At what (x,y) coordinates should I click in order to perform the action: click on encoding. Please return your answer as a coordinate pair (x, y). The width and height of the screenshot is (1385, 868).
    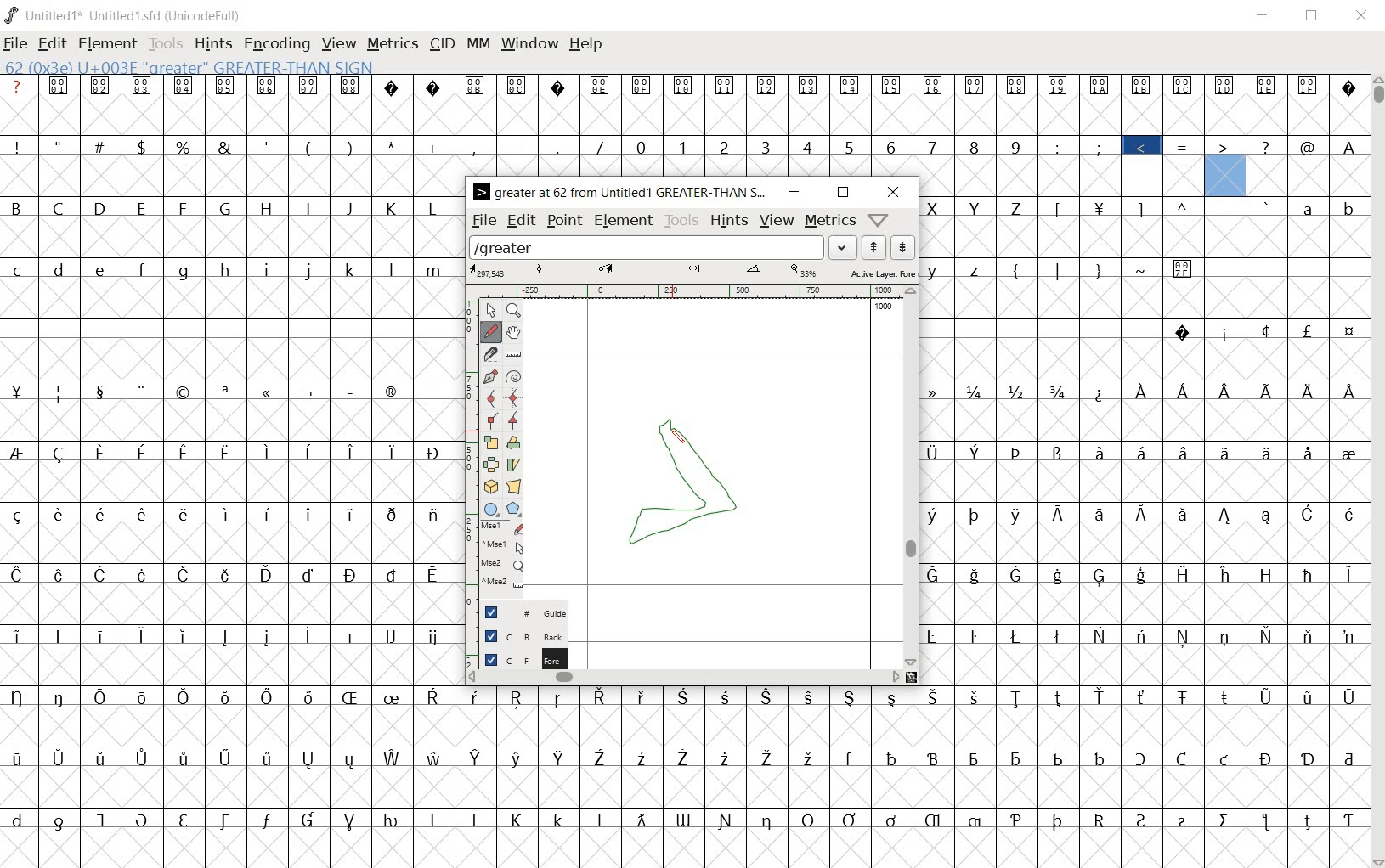
    Looking at the image, I should click on (275, 44).